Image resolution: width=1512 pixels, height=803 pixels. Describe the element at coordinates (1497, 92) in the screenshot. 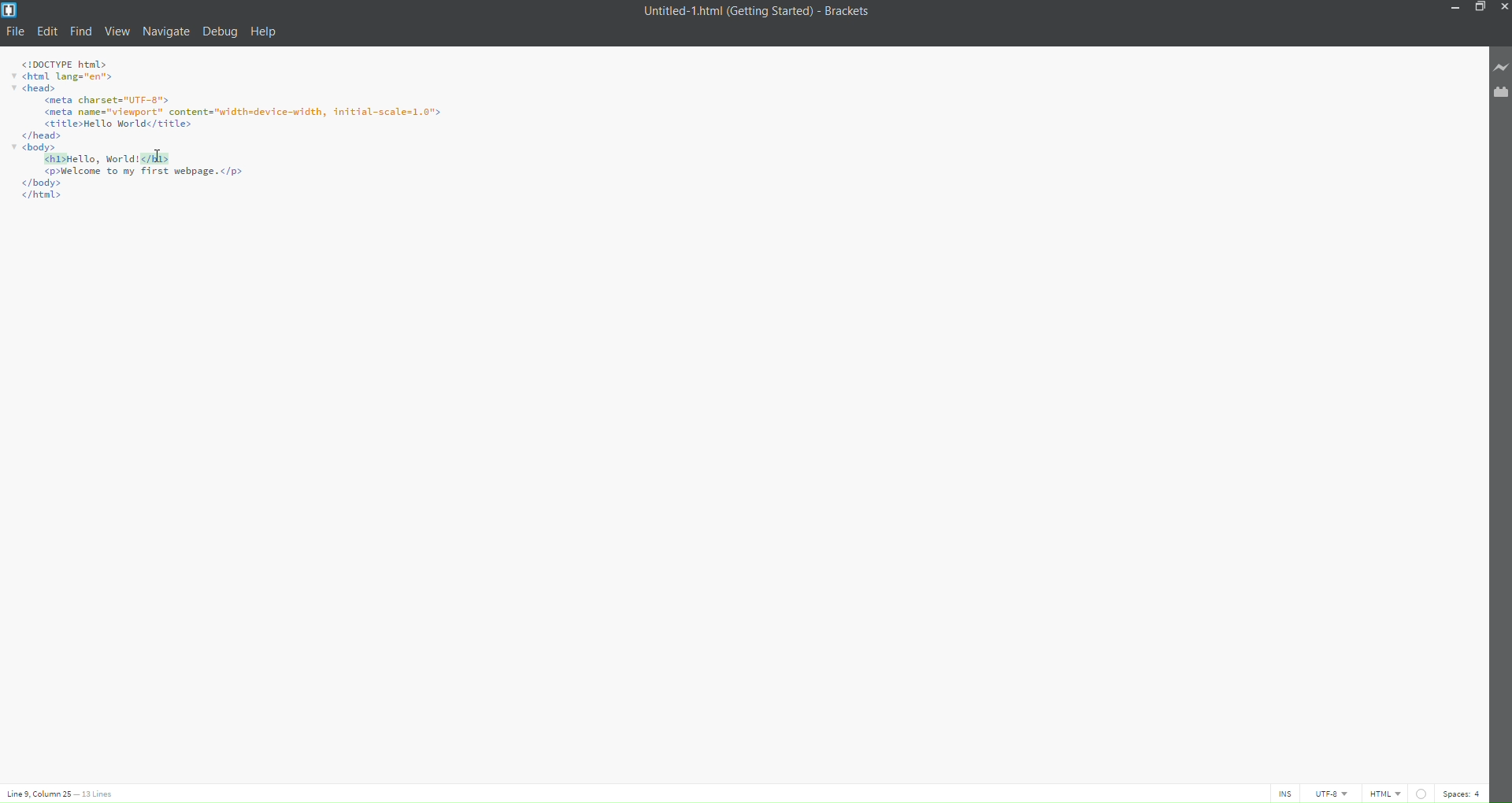

I see `extension manager` at that location.